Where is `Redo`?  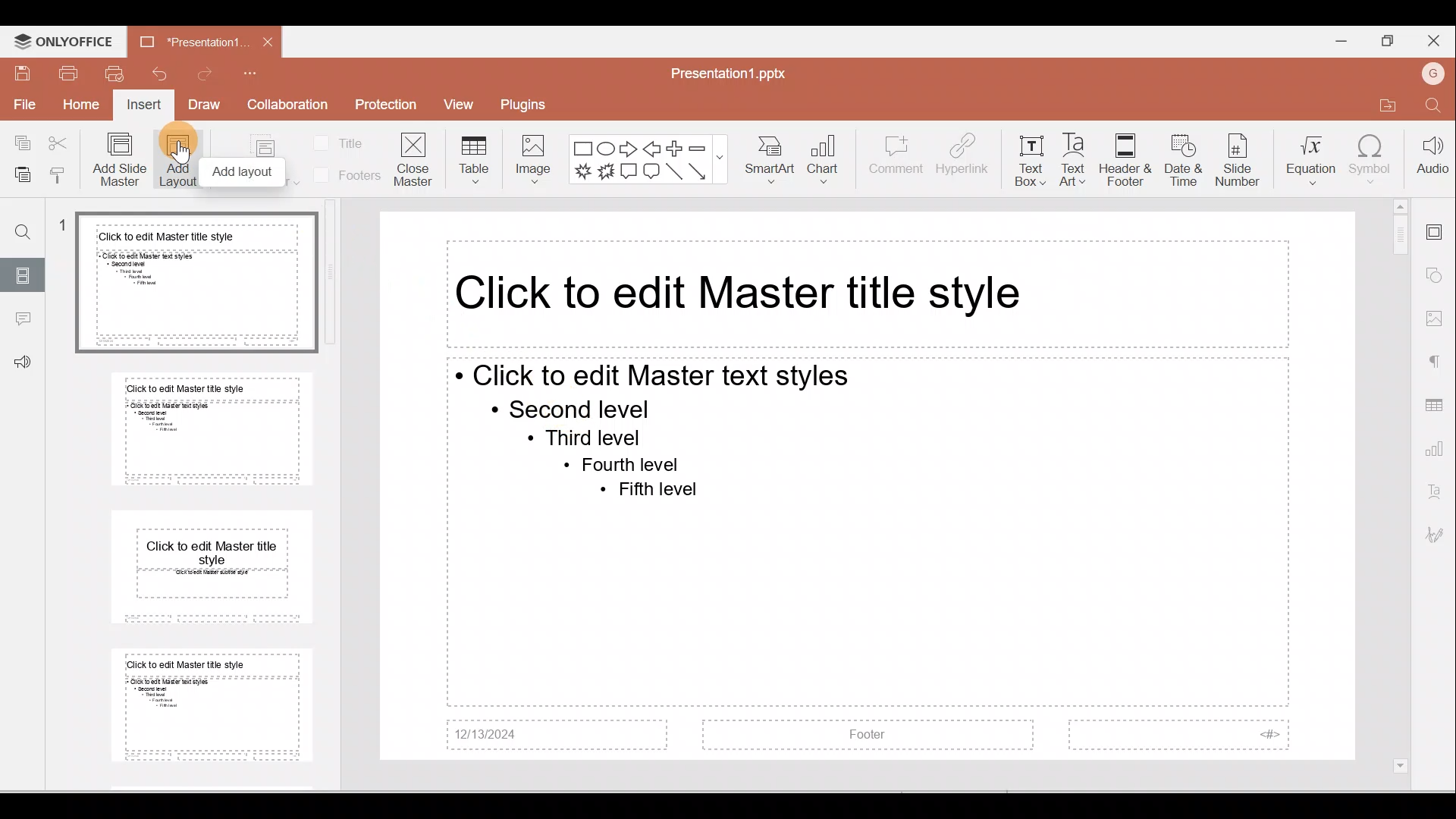 Redo is located at coordinates (209, 73).